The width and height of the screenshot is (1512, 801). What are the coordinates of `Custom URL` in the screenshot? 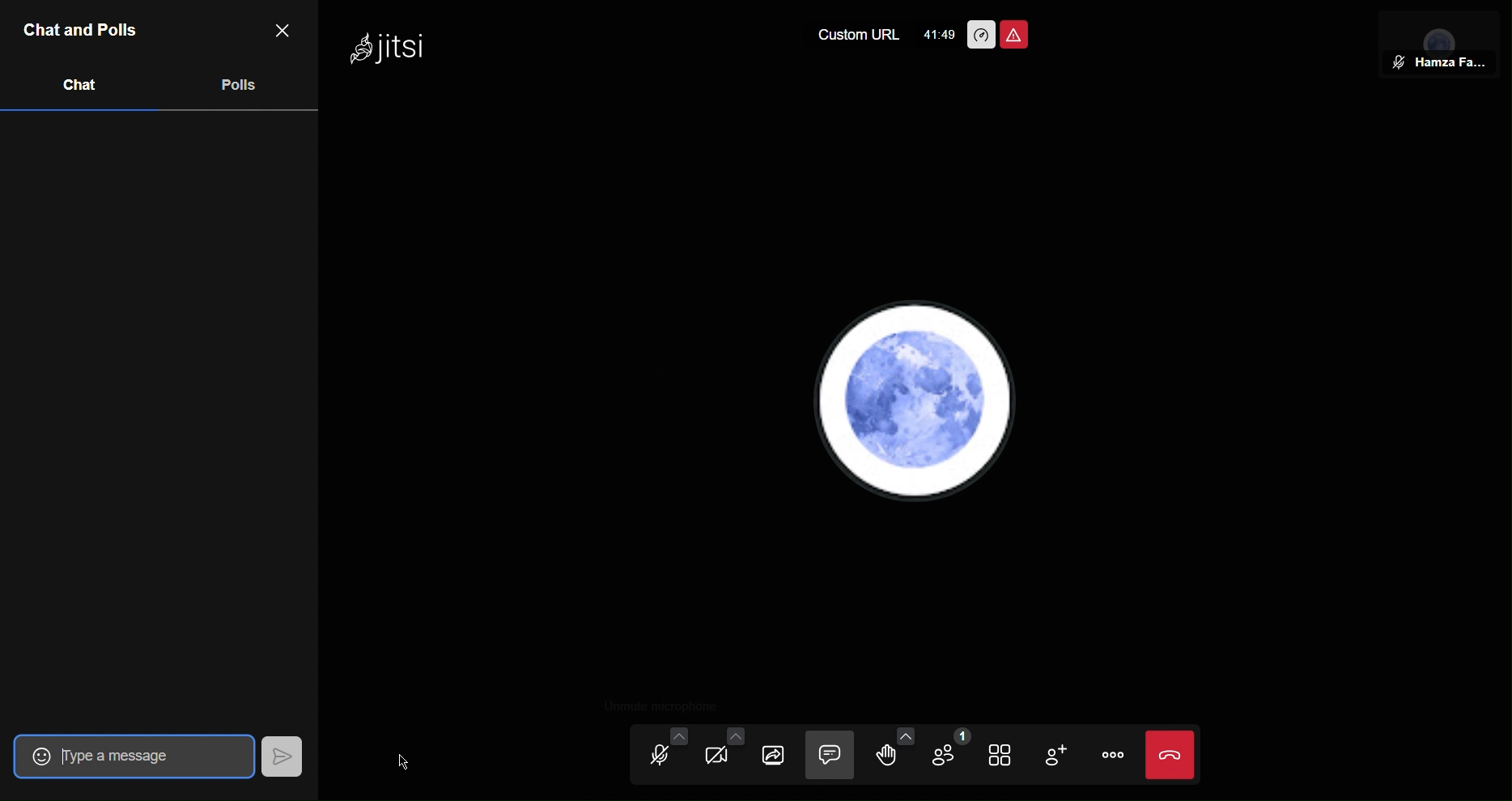 It's located at (856, 32).